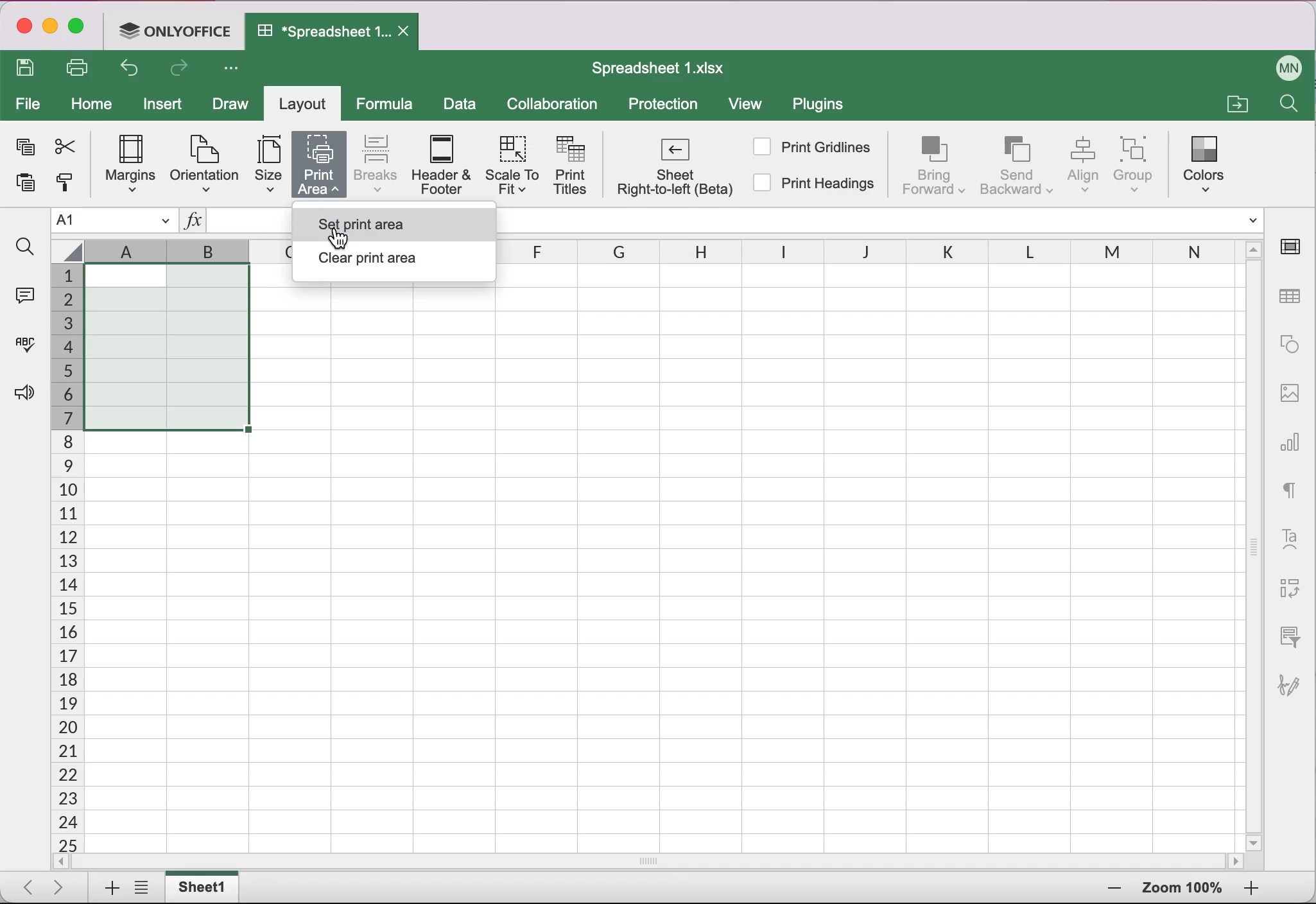 This screenshot has height=904, width=1316. I want to click on spell checking, so click(22, 349).